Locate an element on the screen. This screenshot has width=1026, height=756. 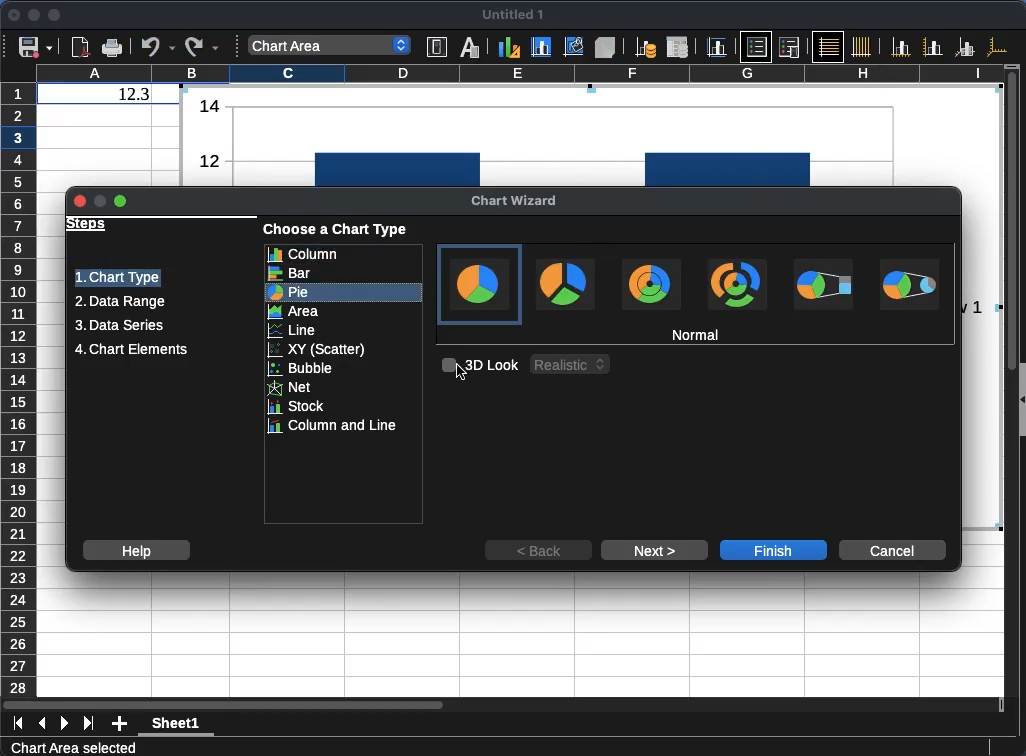
untitled 1 is located at coordinates (512, 15).